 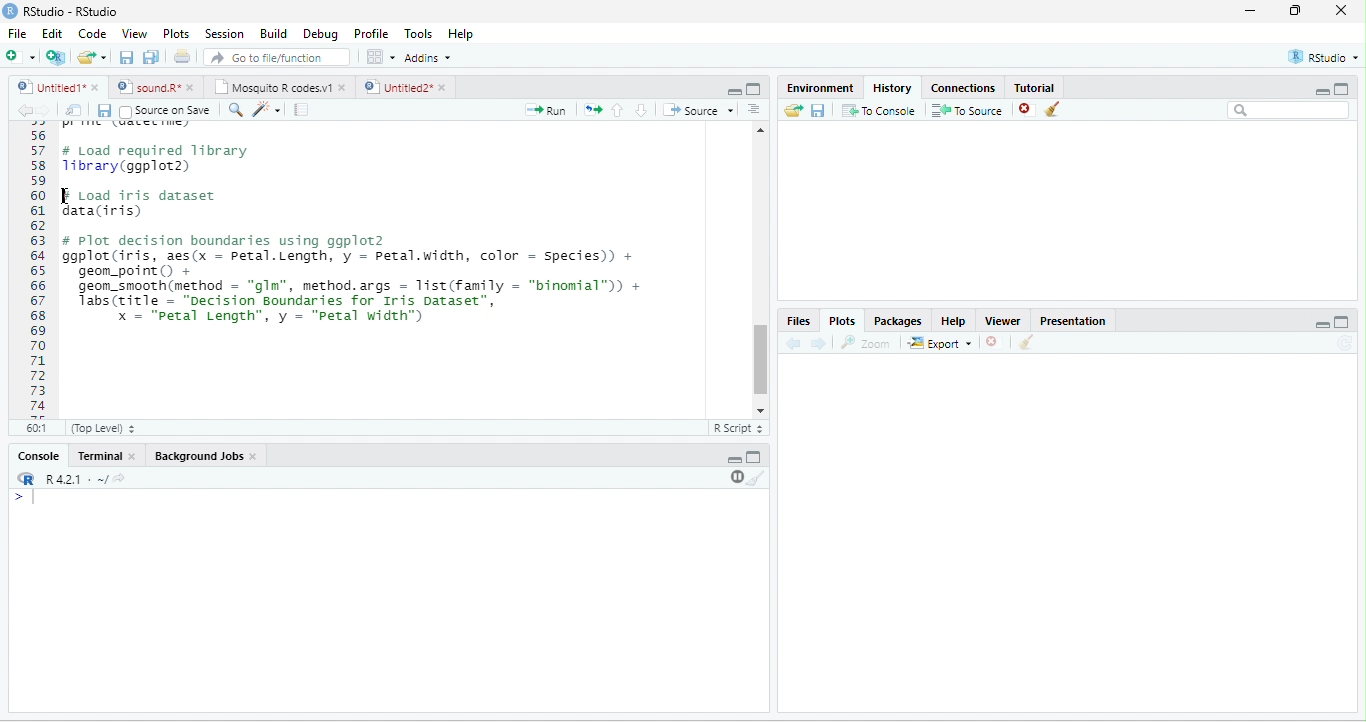 I want to click on Connections, so click(x=962, y=88).